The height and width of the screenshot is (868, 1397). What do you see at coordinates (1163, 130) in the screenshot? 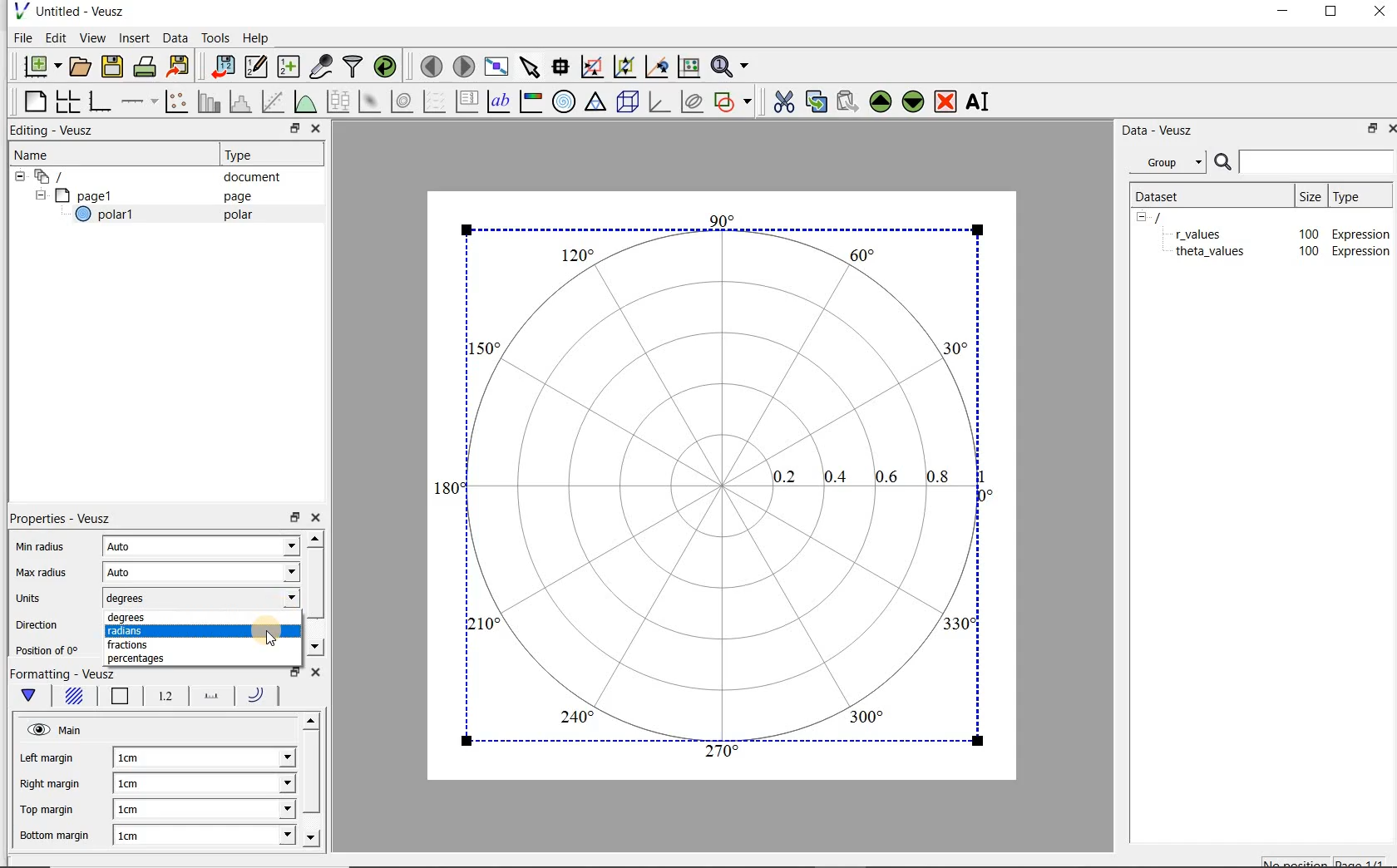
I see `Data - Veusz` at bounding box center [1163, 130].